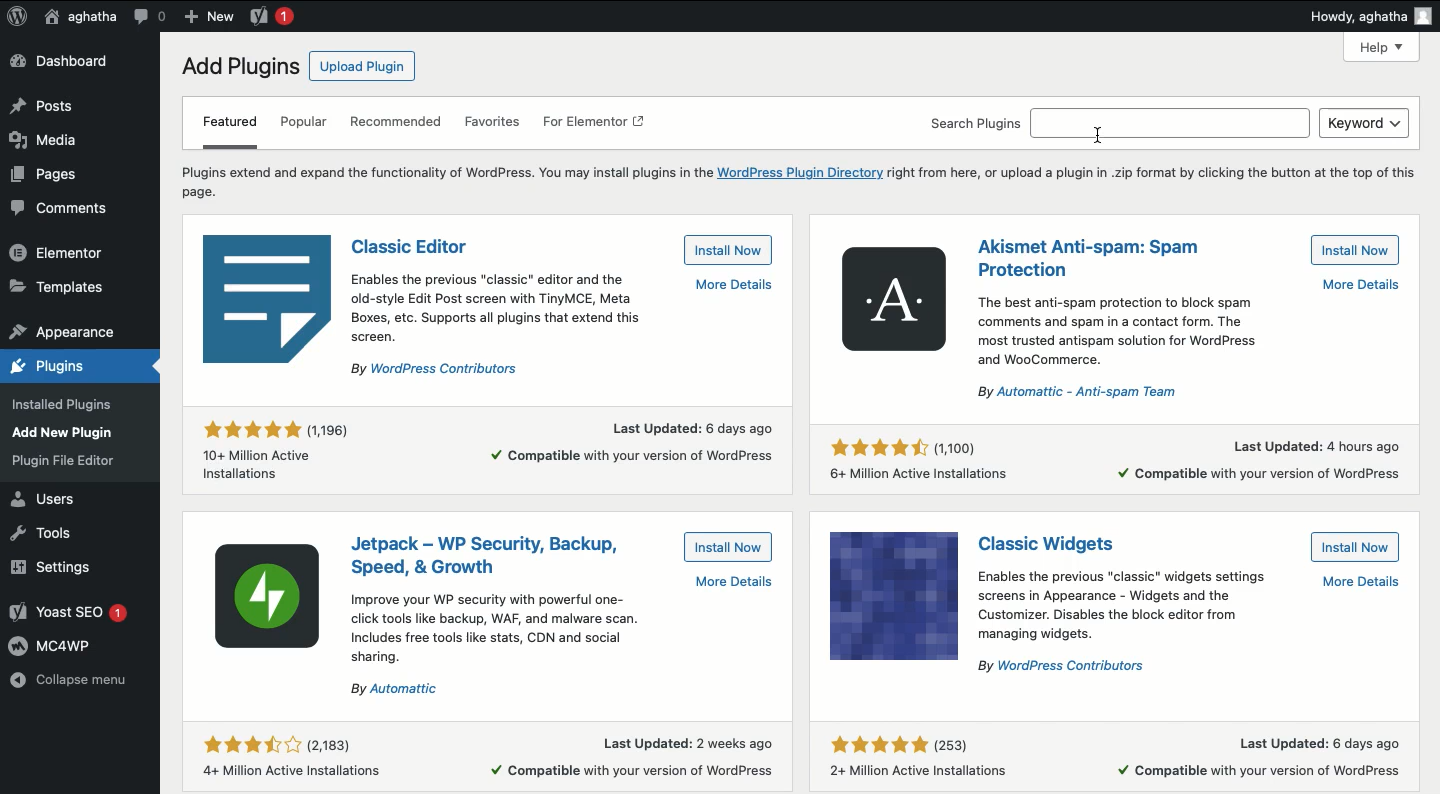  What do you see at coordinates (273, 18) in the screenshot?
I see `Yoast` at bounding box center [273, 18].